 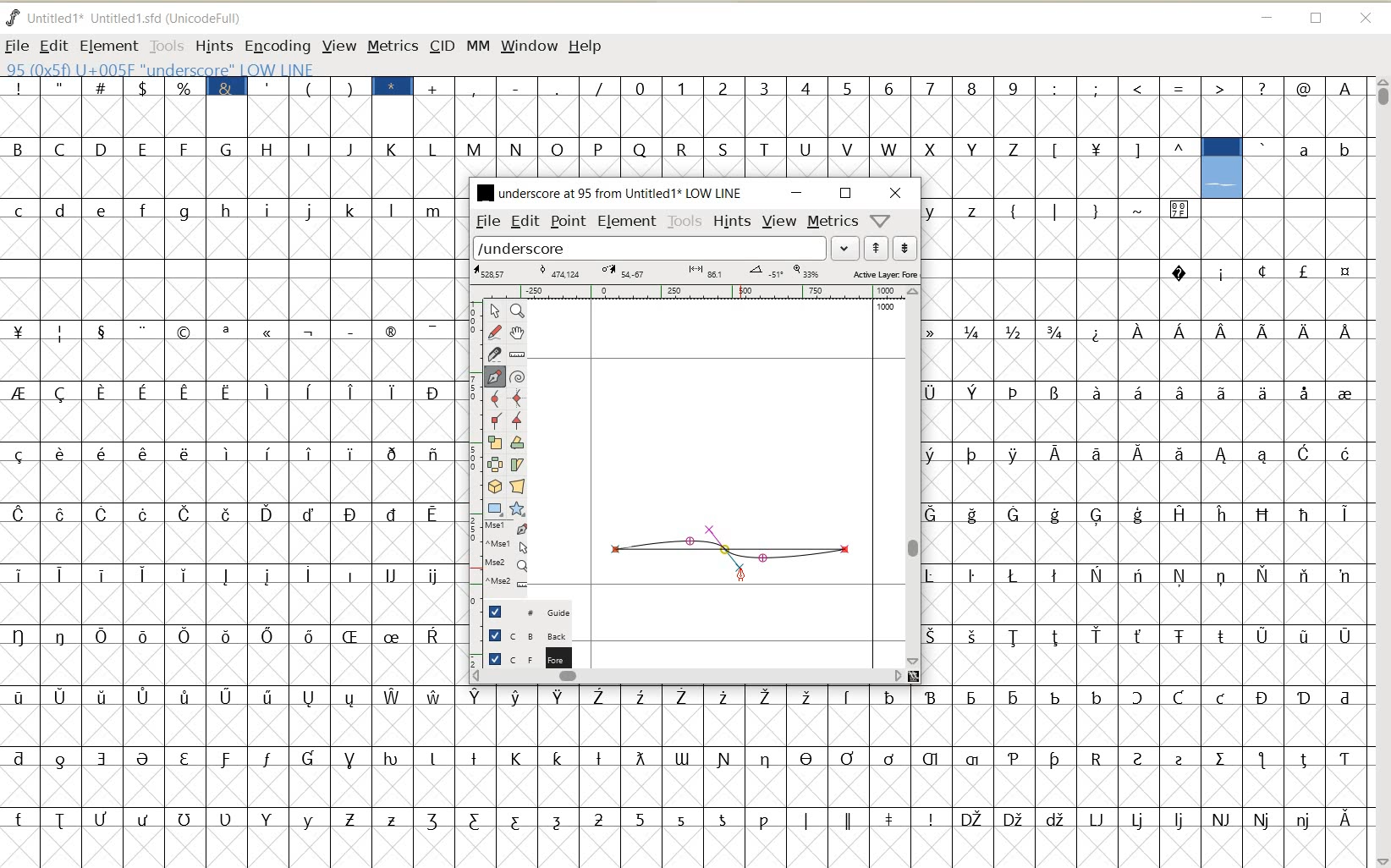 What do you see at coordinates (493, 311) in the screenshot?
I see `pointer` at bounding box center [493, 311].